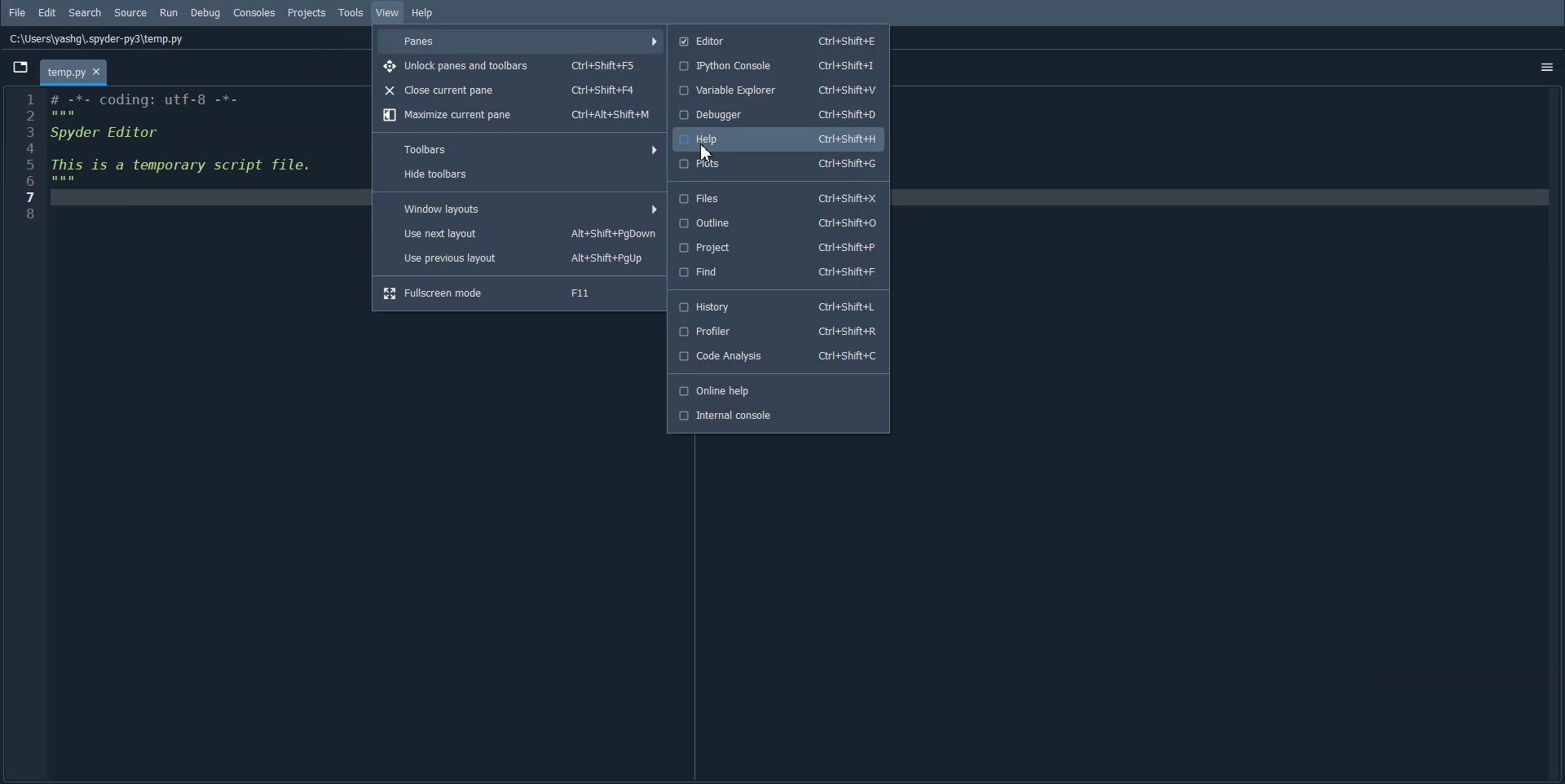 The height and width of the screenshot is (784, 1565). I want to click on Profiler, so click(779, 331).